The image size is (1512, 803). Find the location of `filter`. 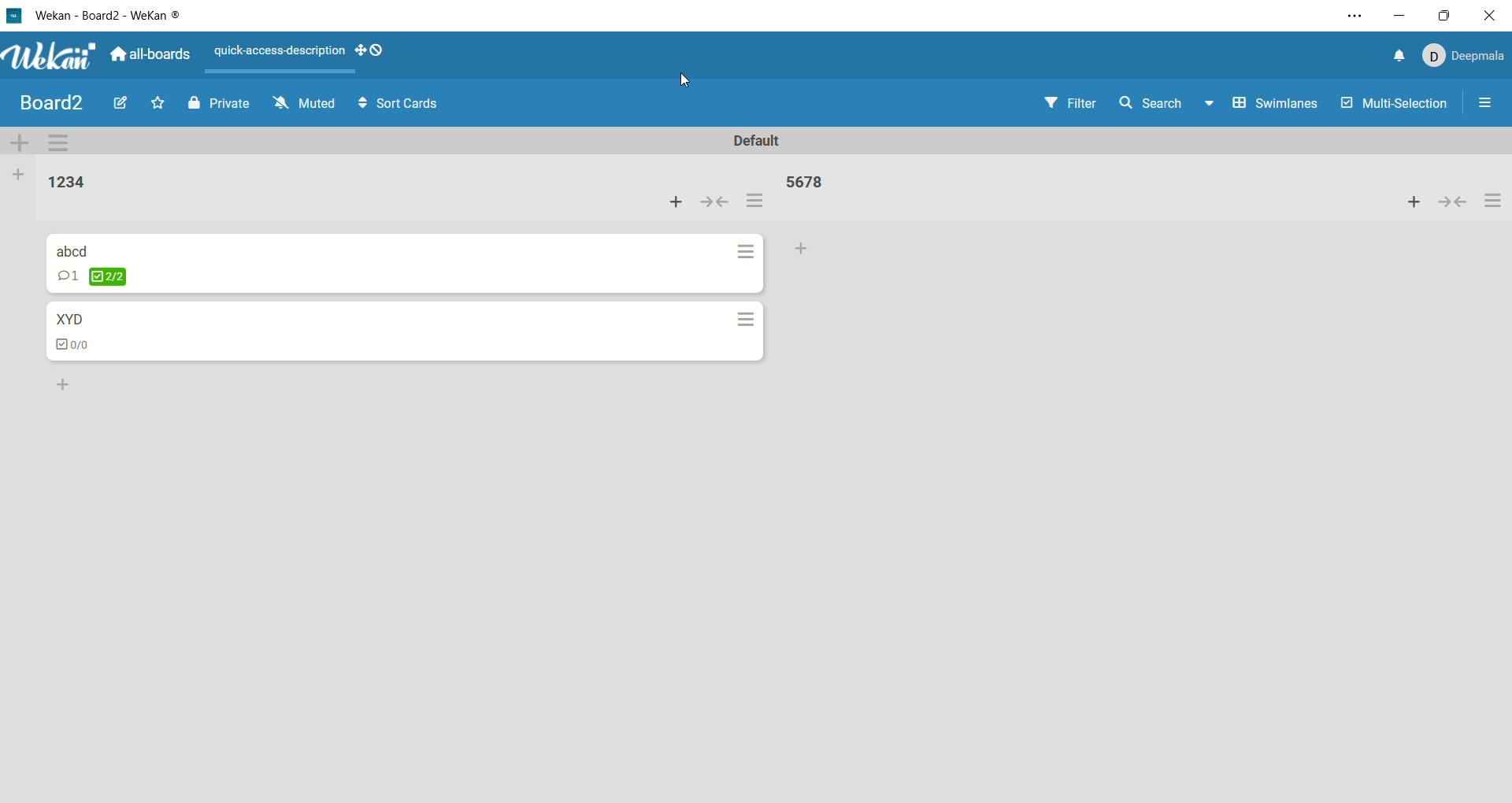

filter is located at coordinates (1076, 103).